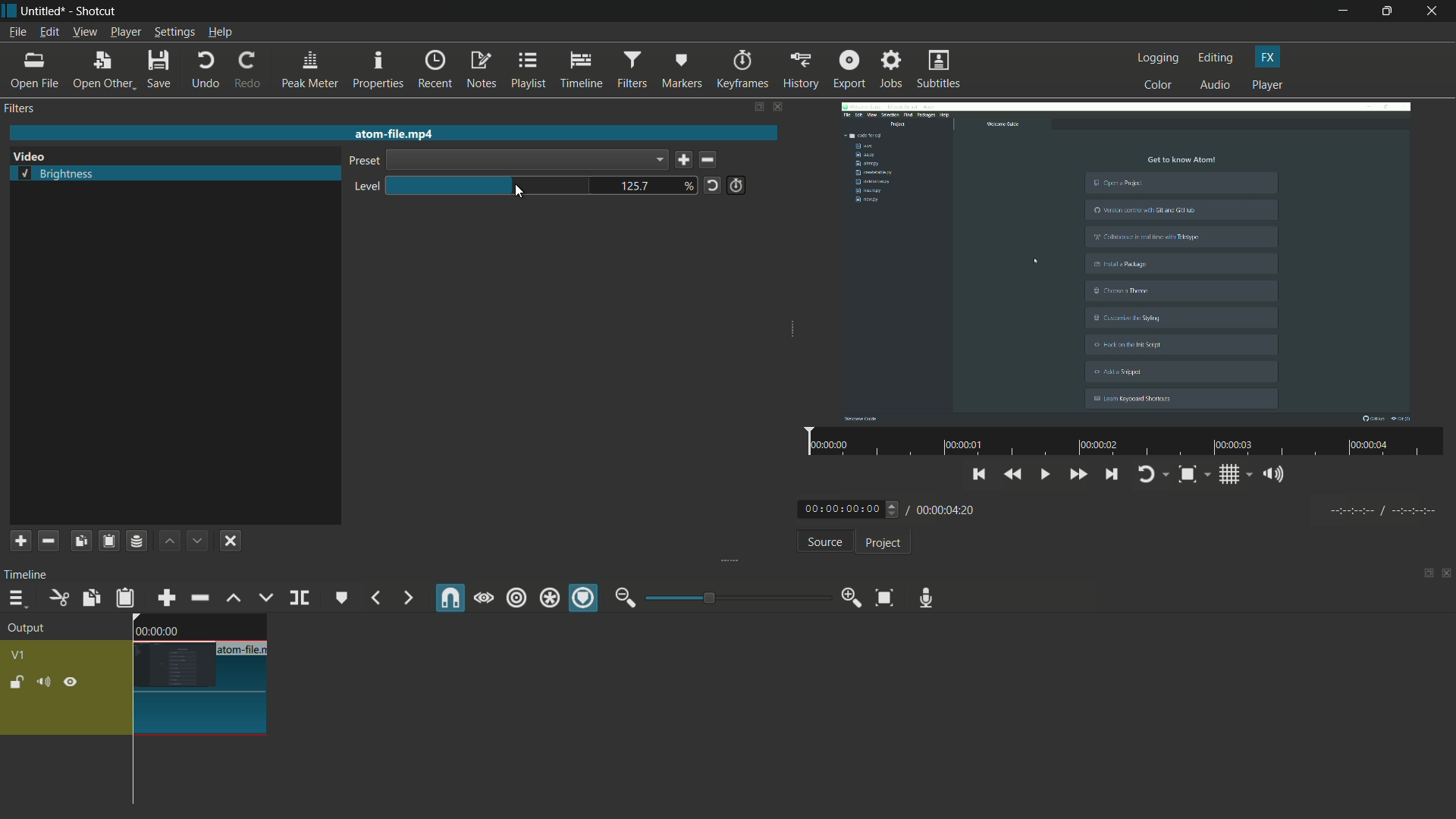  What do you see at coordinates (582, 71) in the screenshot?
I see `timeline` at bounding box center [582, 71].